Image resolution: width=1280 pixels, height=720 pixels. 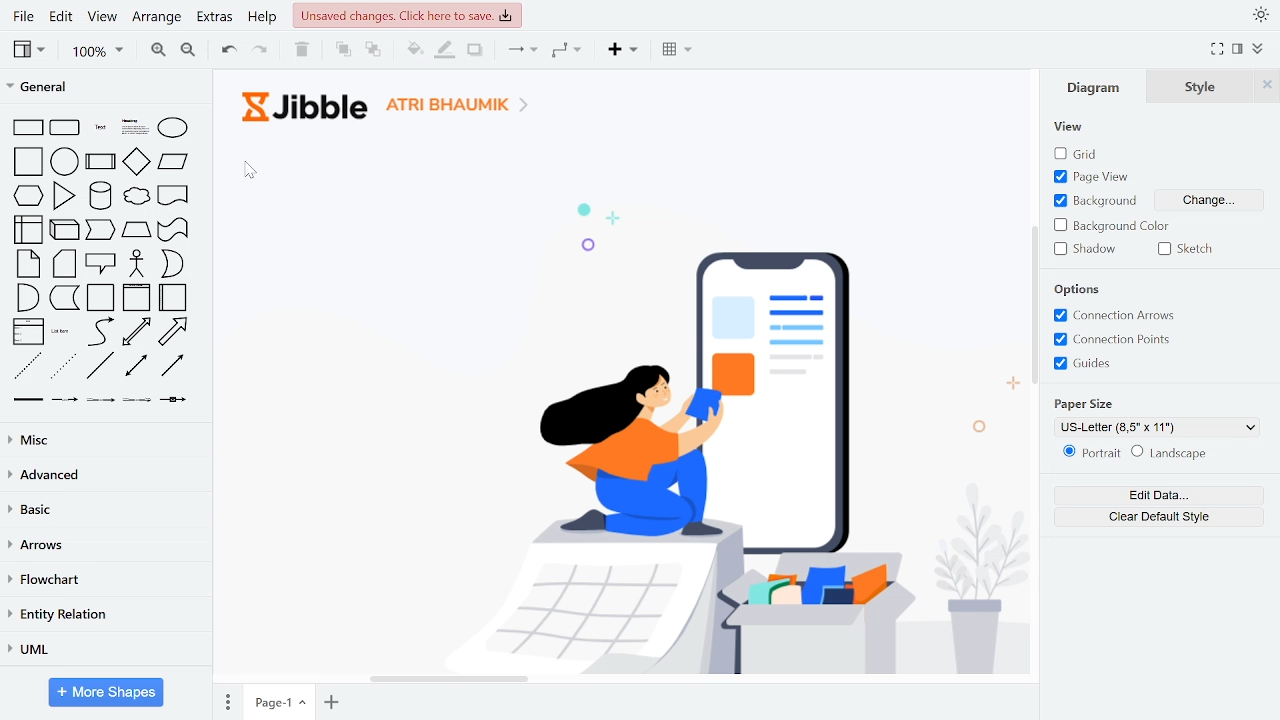 What do you see at coordinates (1071, 127) in the screenshot?
I see `View` at bounding box center [1071, 127].